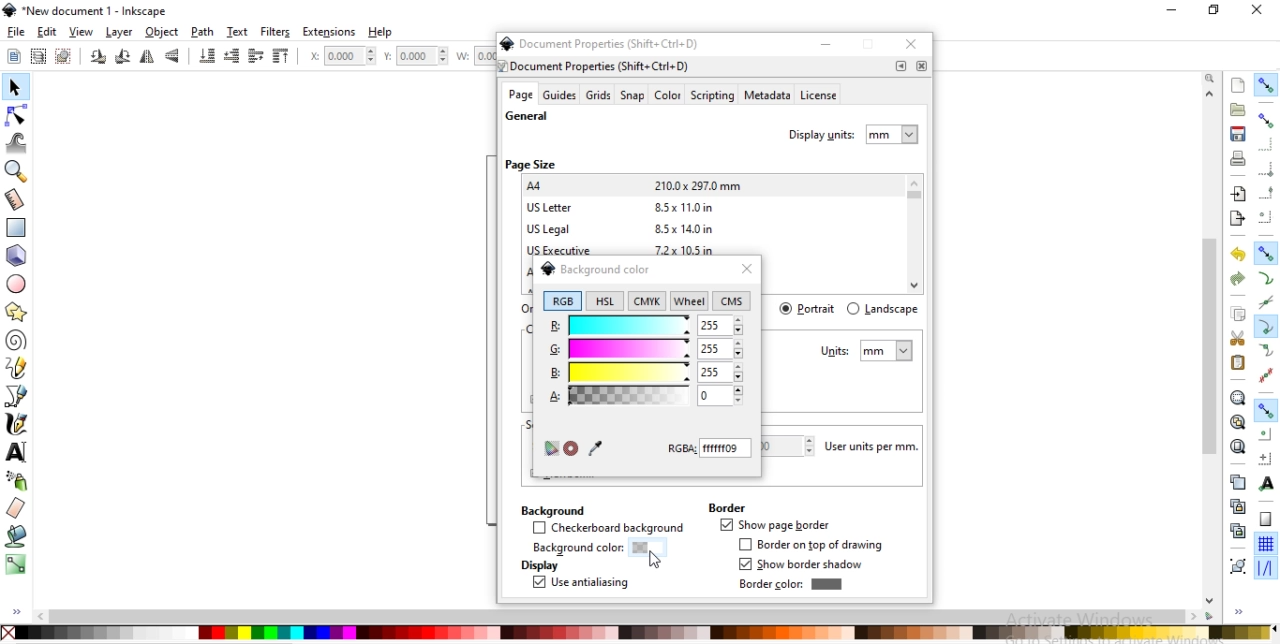 The image size is (1280, 644). Describe the element at coordinates (603, 301) in the screenshot. I see `hsl` at that location.